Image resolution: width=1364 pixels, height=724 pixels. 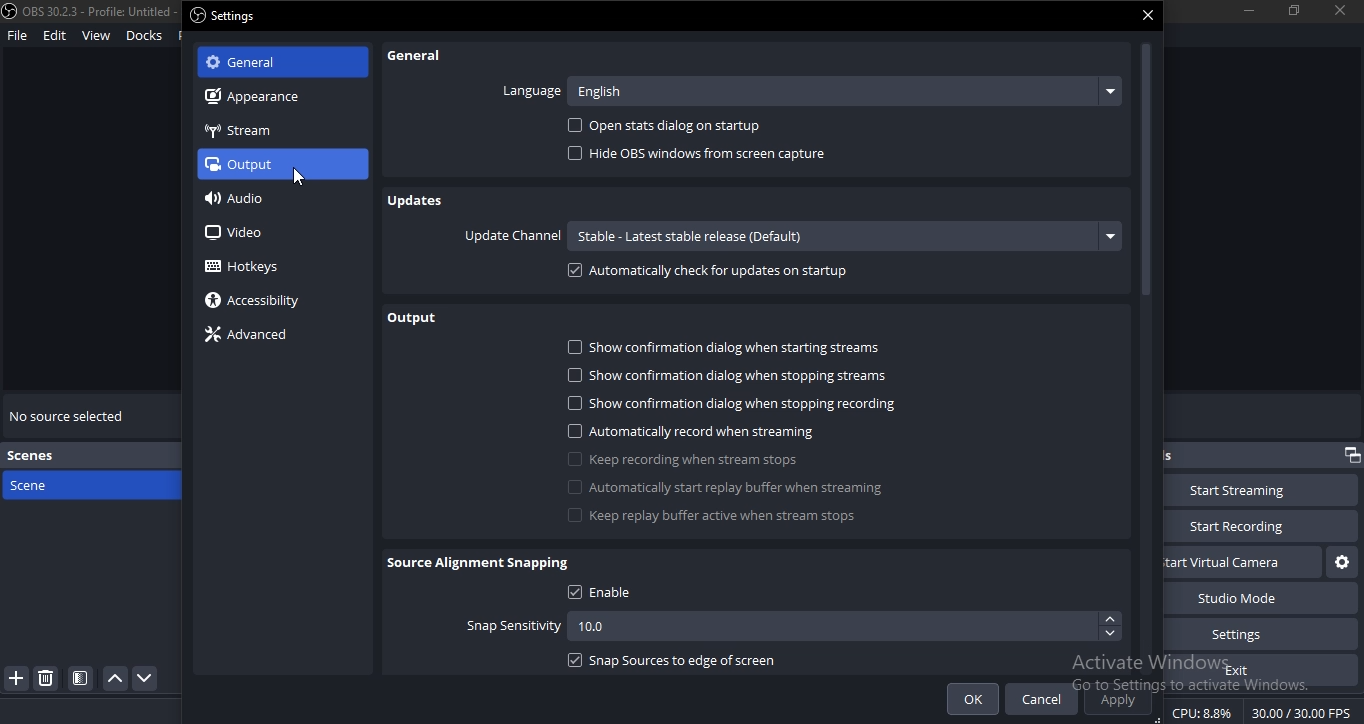 What do you see at coordinates (145, 34) in the screenshot?
I see `docks` at bounding box center [145, 34].